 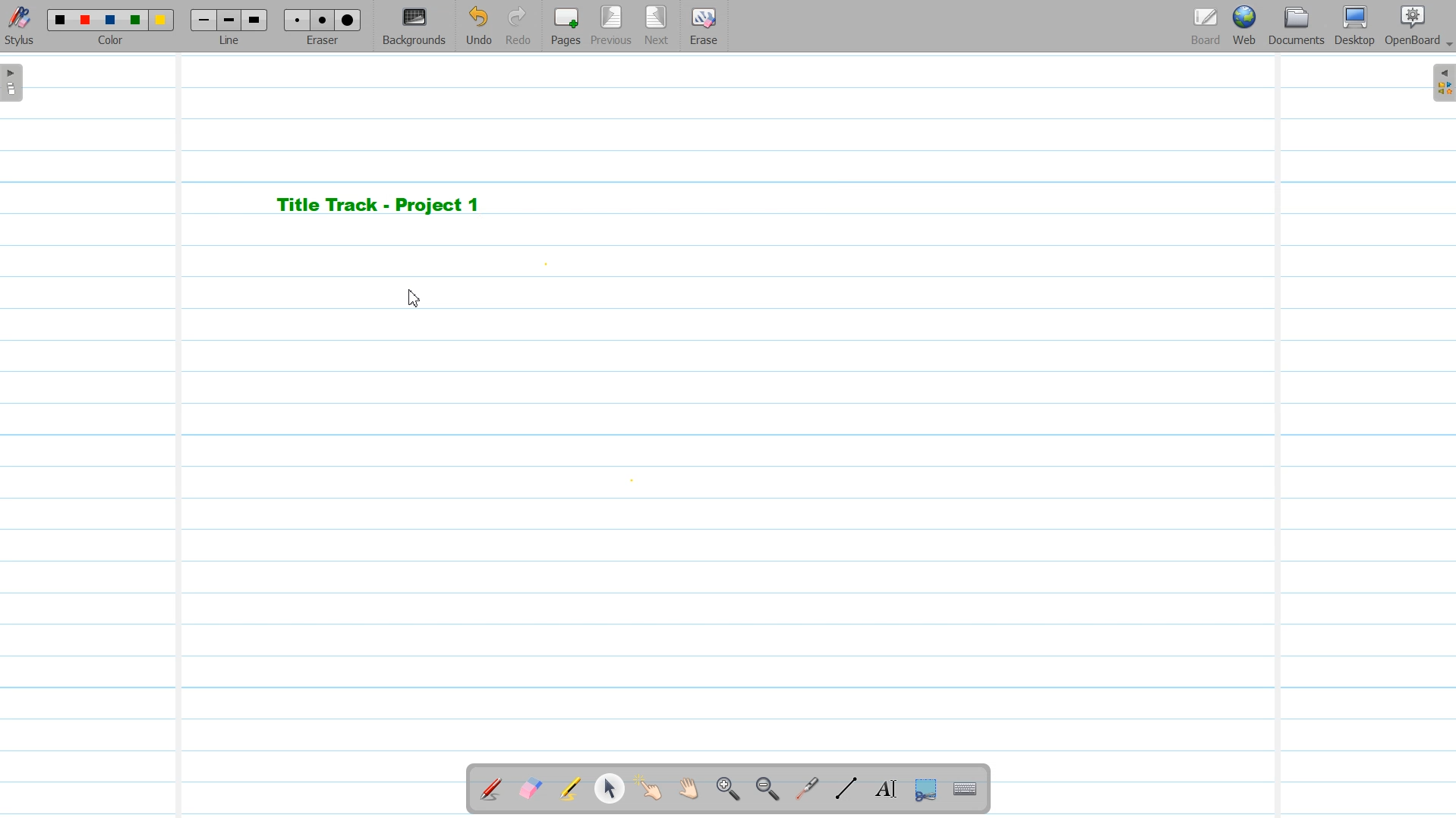 What do you see at coordinates (883, 789) in the screenshot?
I see `Text Tool` at bounding box center [883, 789].